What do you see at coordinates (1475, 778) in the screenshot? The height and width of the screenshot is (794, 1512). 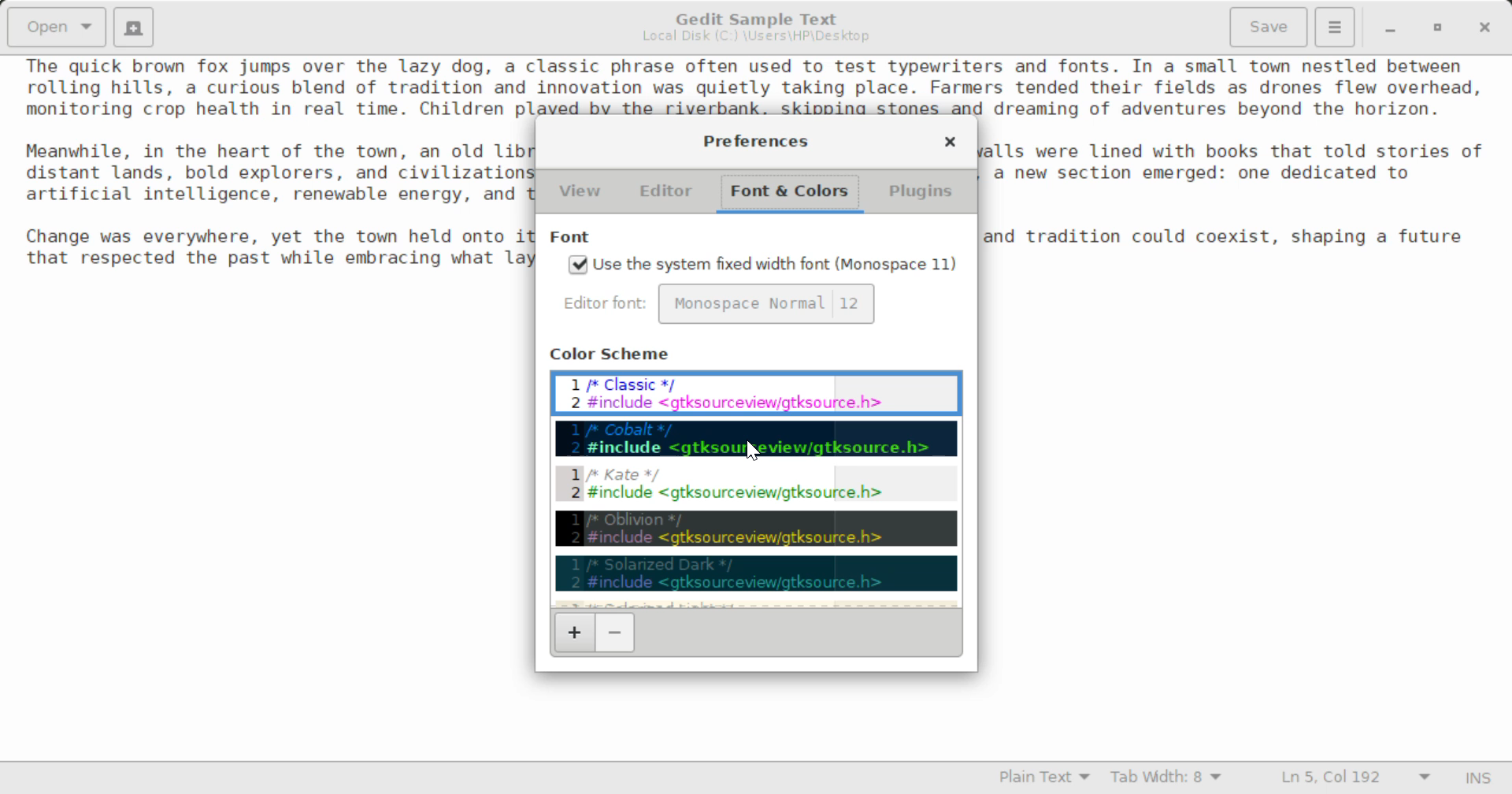 I see `Insert Mode` at bounding box center [1475, 778].